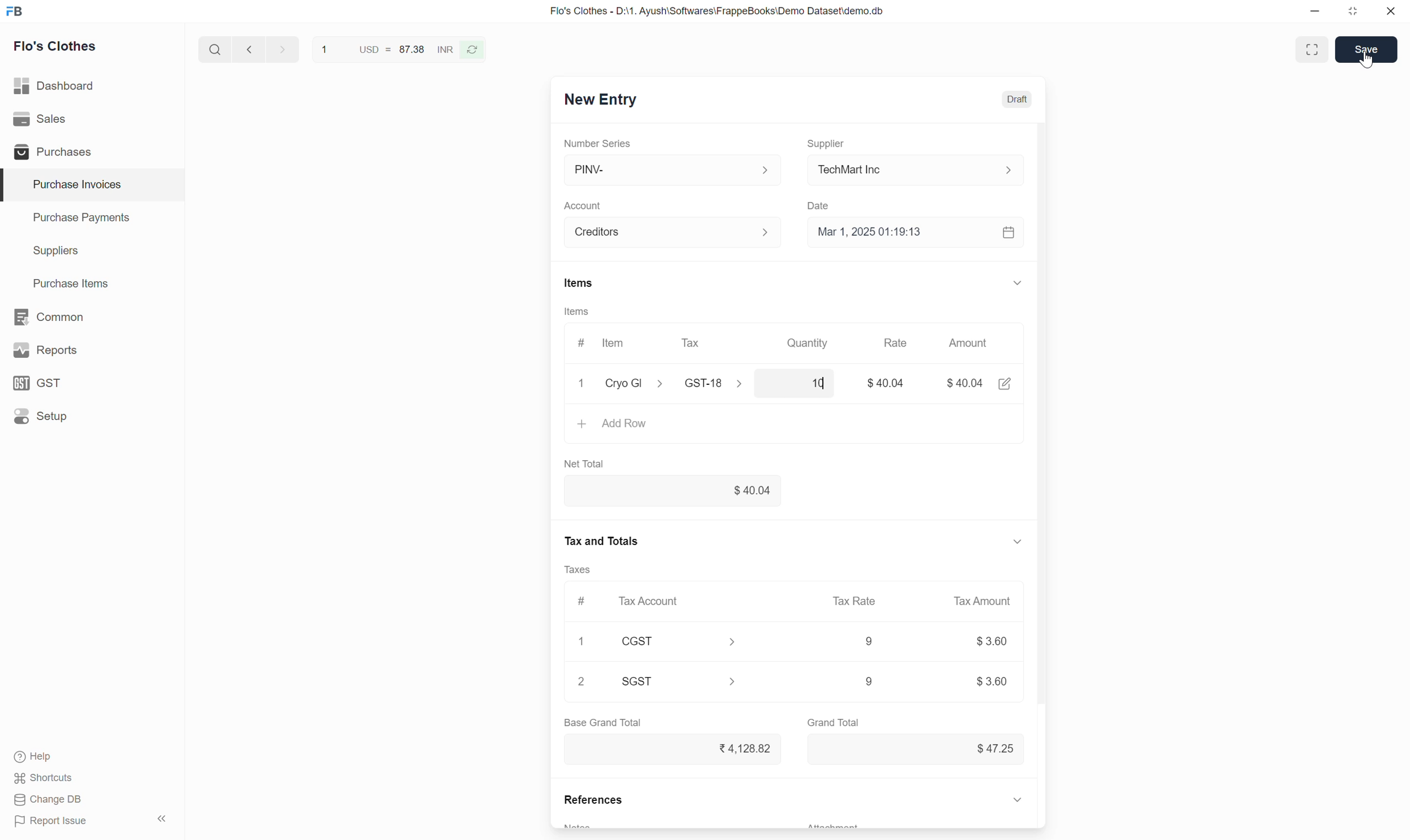 This screenshot has height=840, width=1410. What do you see at coordinates (989, 681) in the screenshot?
I see `9 $3.60` at bounding box center [989, 681].